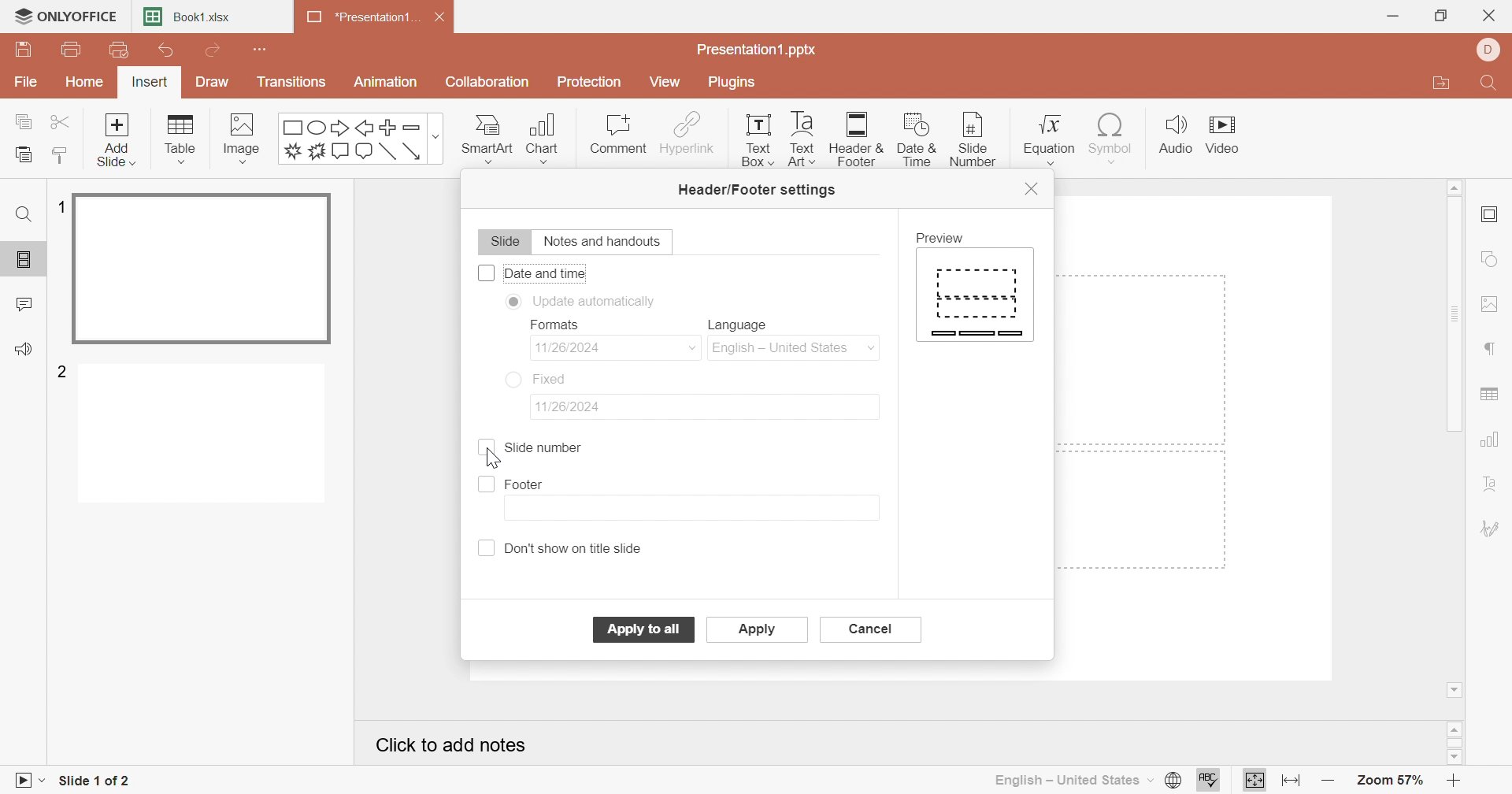 The image size is (1512, 794). Describe the element at coordinates (1459, 315) in the screenshot. I see `Scroll Bar` at that location.